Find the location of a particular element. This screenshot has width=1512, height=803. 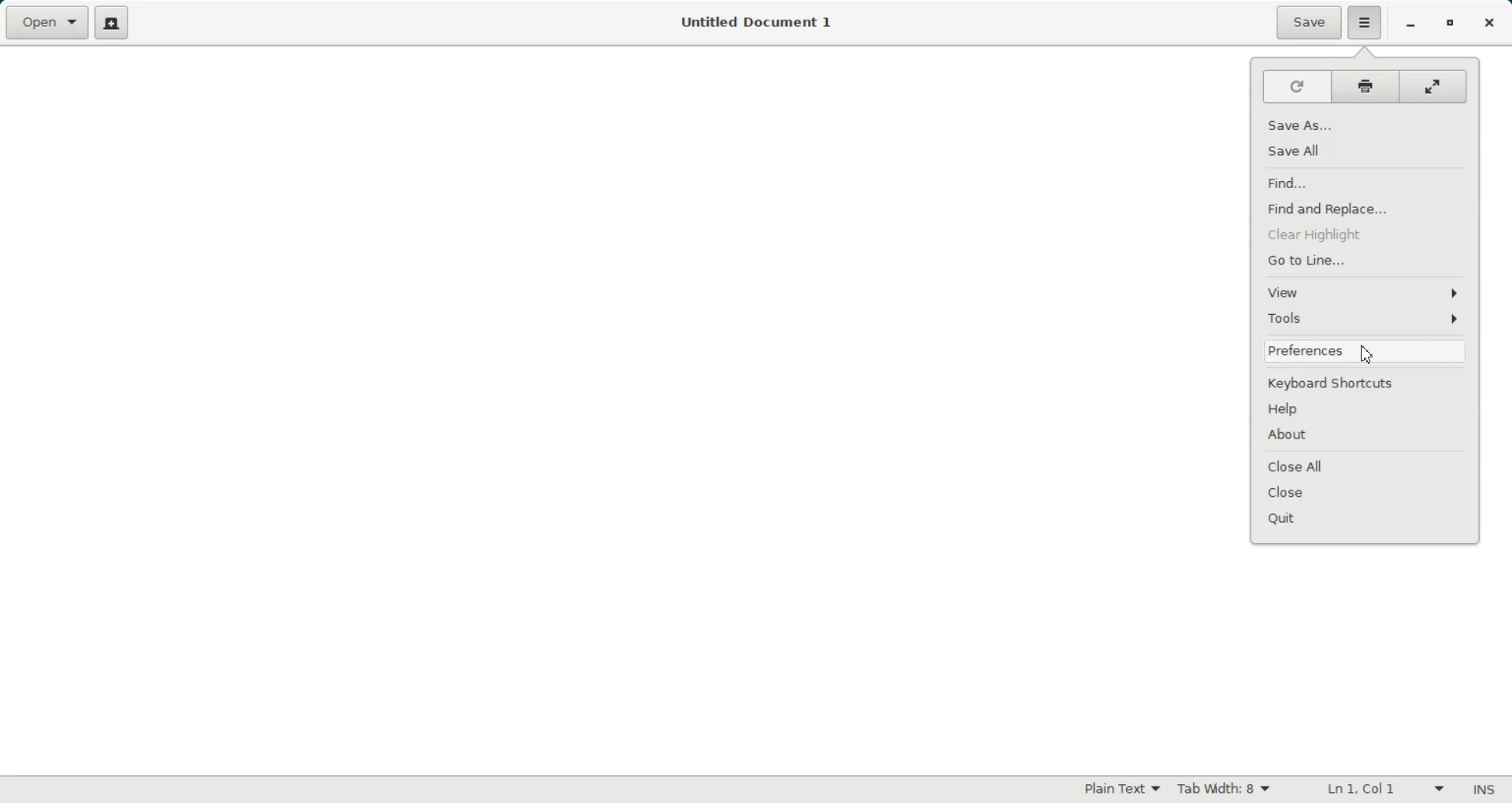

Insert is located at coordinates (1483, 790).